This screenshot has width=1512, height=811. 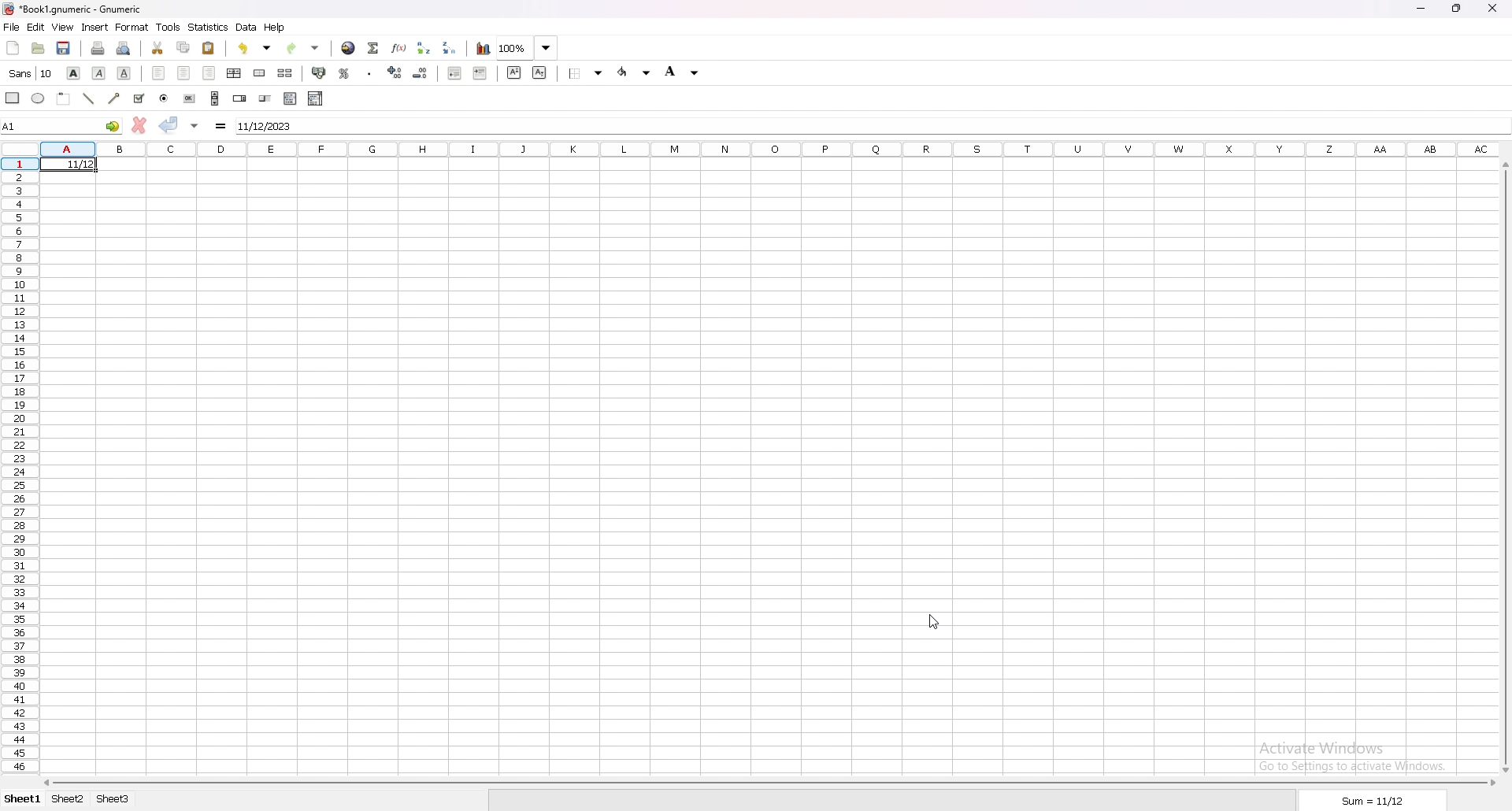 What do you see at coordinates (539, 72) in the screenshot?
I see `subscript` at bounding box center [539, 72].